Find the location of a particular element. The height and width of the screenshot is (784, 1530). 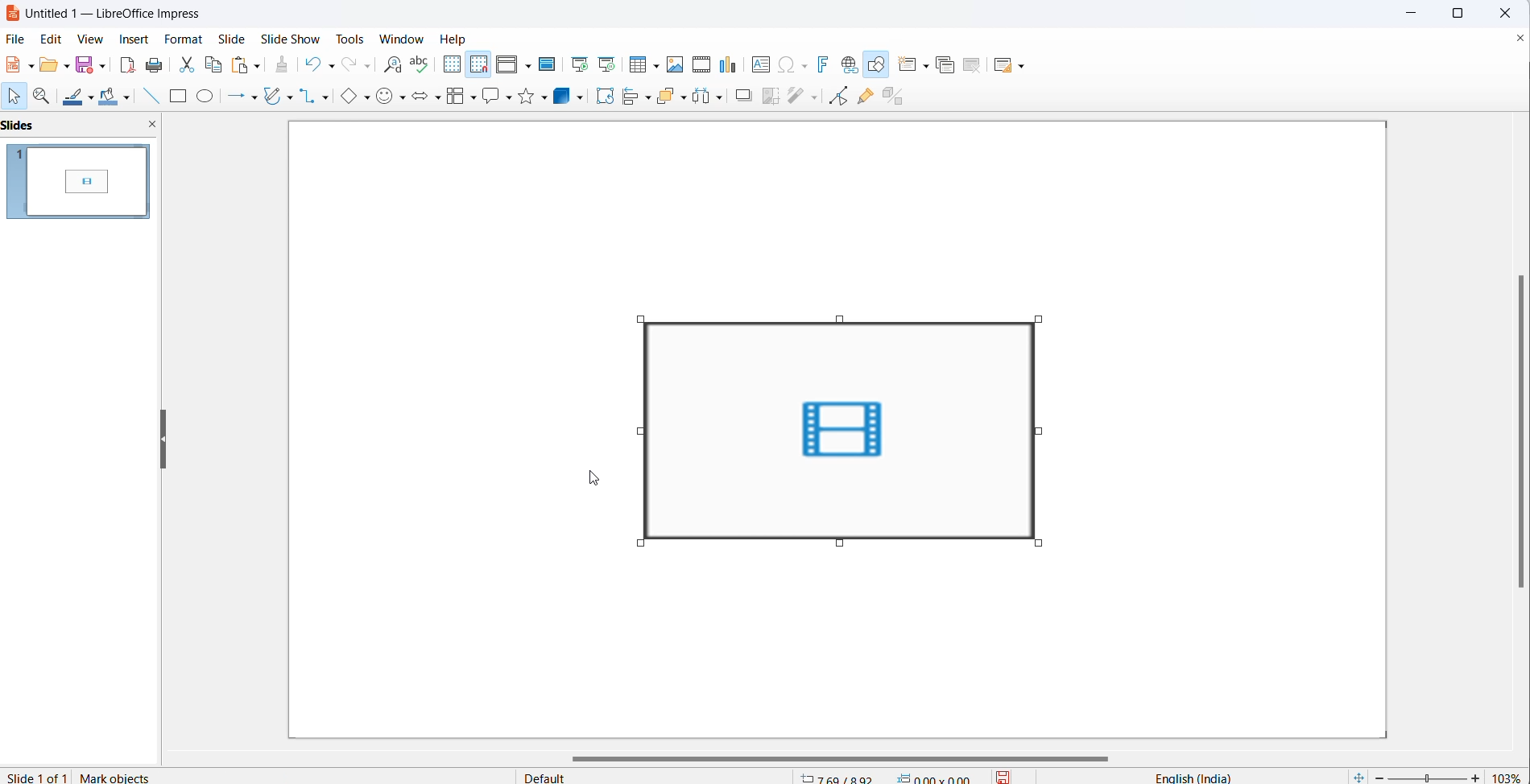

toggle extrusion is located at coordinates (895, 99).